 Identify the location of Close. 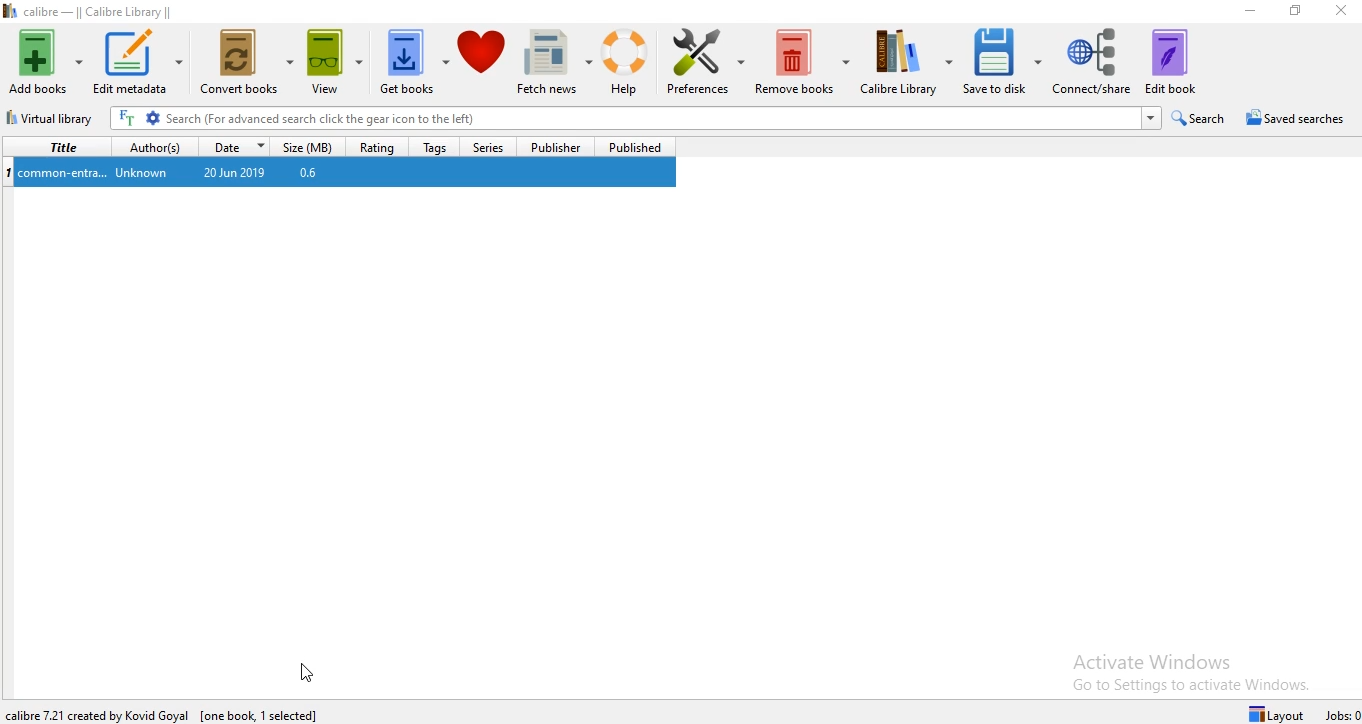
(1341, 10).